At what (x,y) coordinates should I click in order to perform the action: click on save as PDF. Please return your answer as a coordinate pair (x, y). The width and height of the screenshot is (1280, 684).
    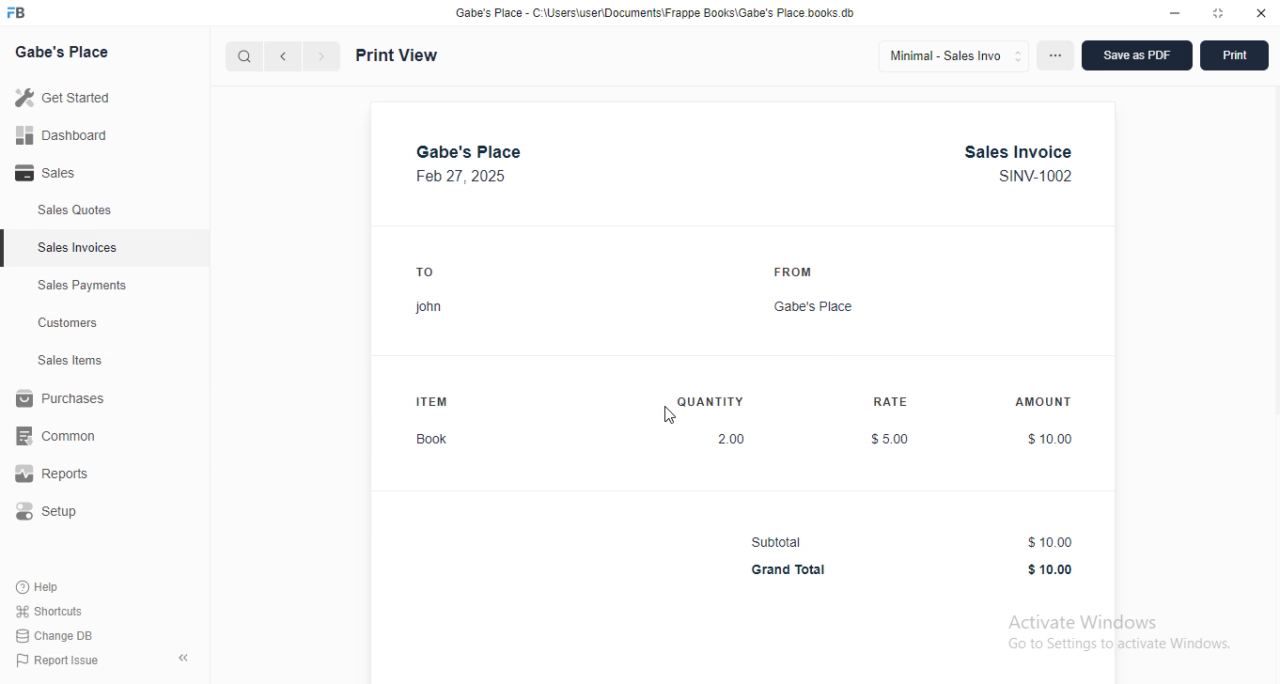
    Looking at the image, I should click on (1137, 55).